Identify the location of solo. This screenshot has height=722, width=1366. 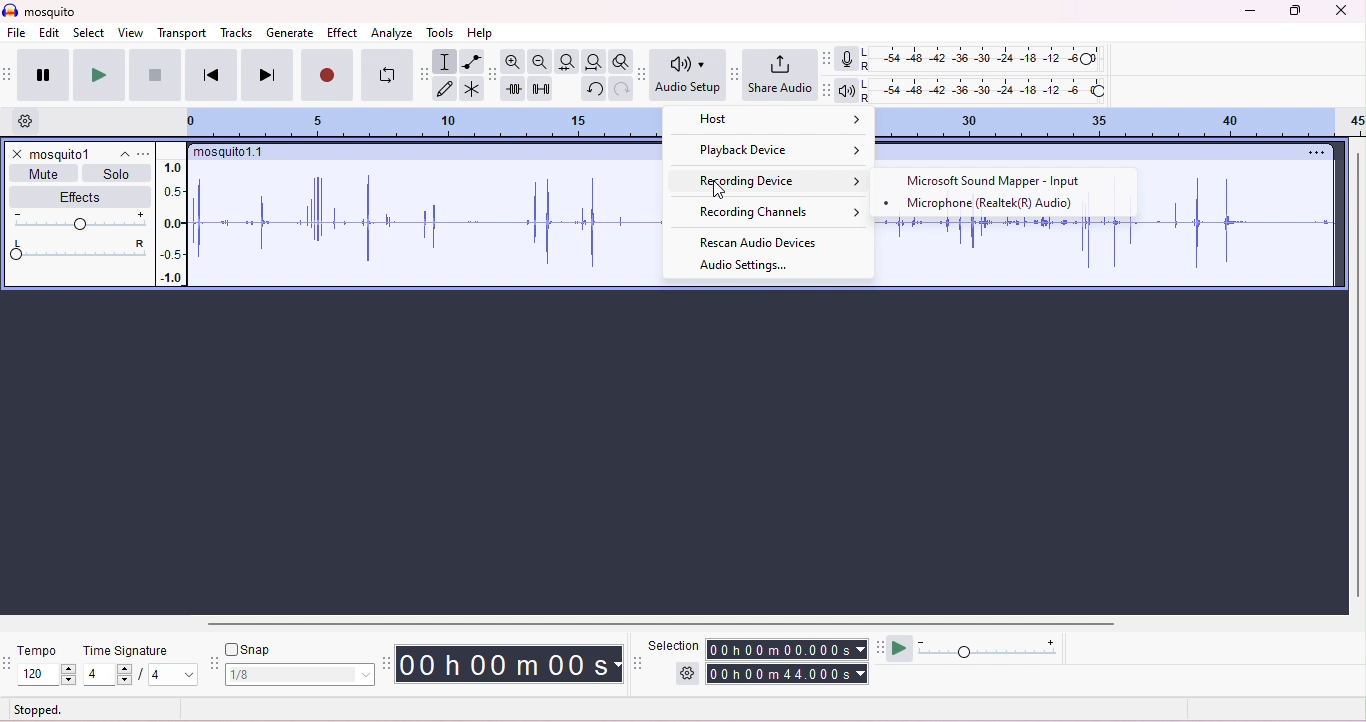
(116, 174).